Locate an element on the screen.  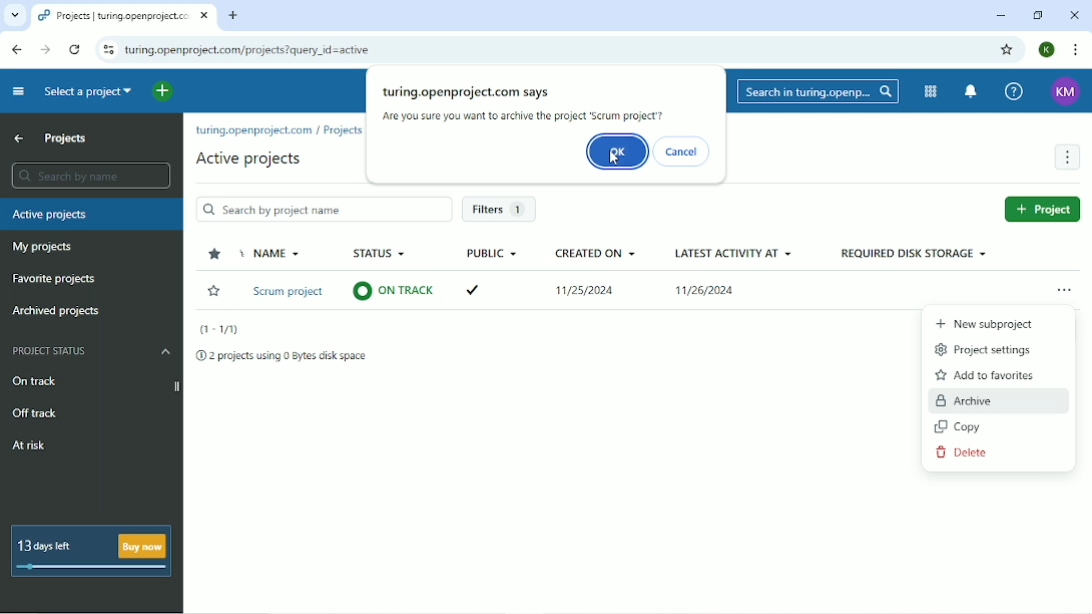
Active projects is located at coordinates (50, 215).